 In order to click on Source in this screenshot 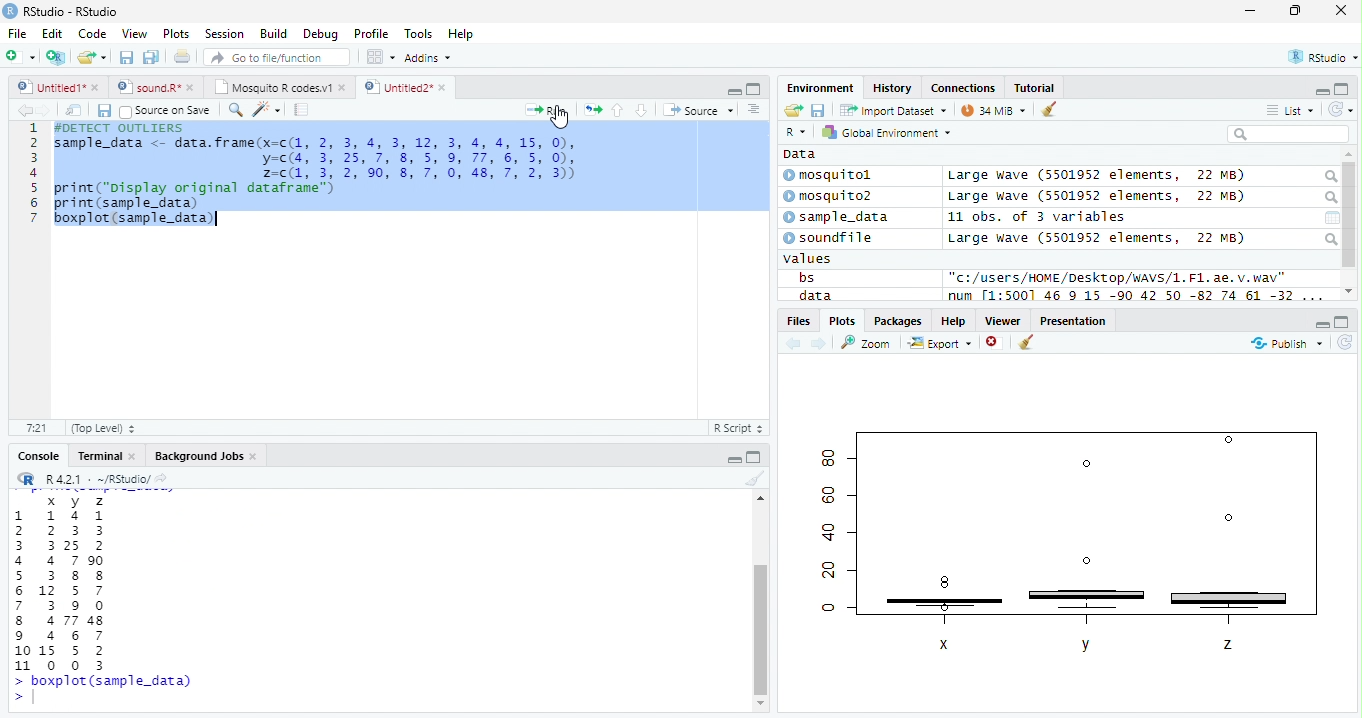, I will do `click(700, 109)`.